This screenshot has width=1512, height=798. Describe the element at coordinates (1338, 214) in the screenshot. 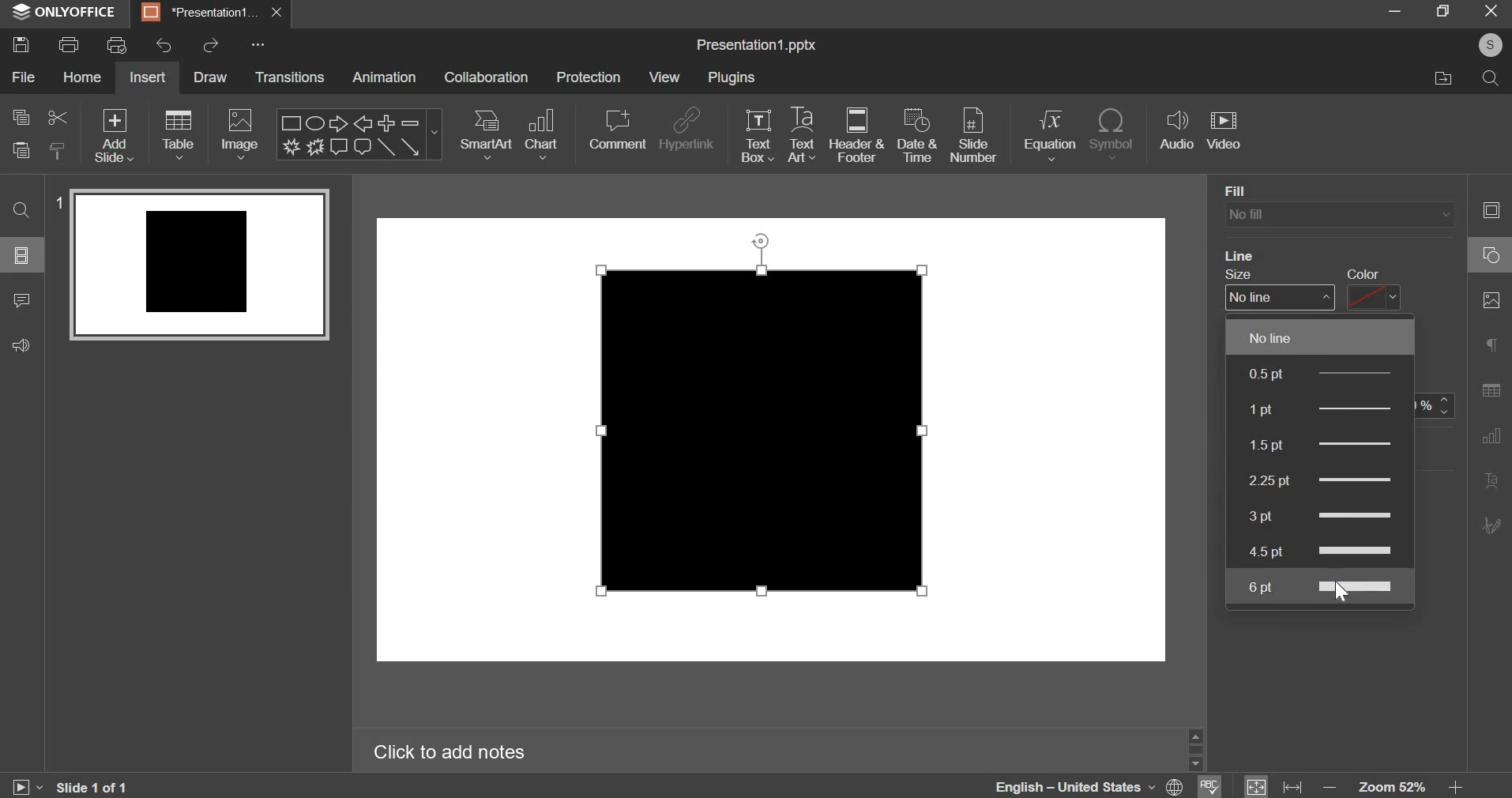

I see `background fill` at that location.